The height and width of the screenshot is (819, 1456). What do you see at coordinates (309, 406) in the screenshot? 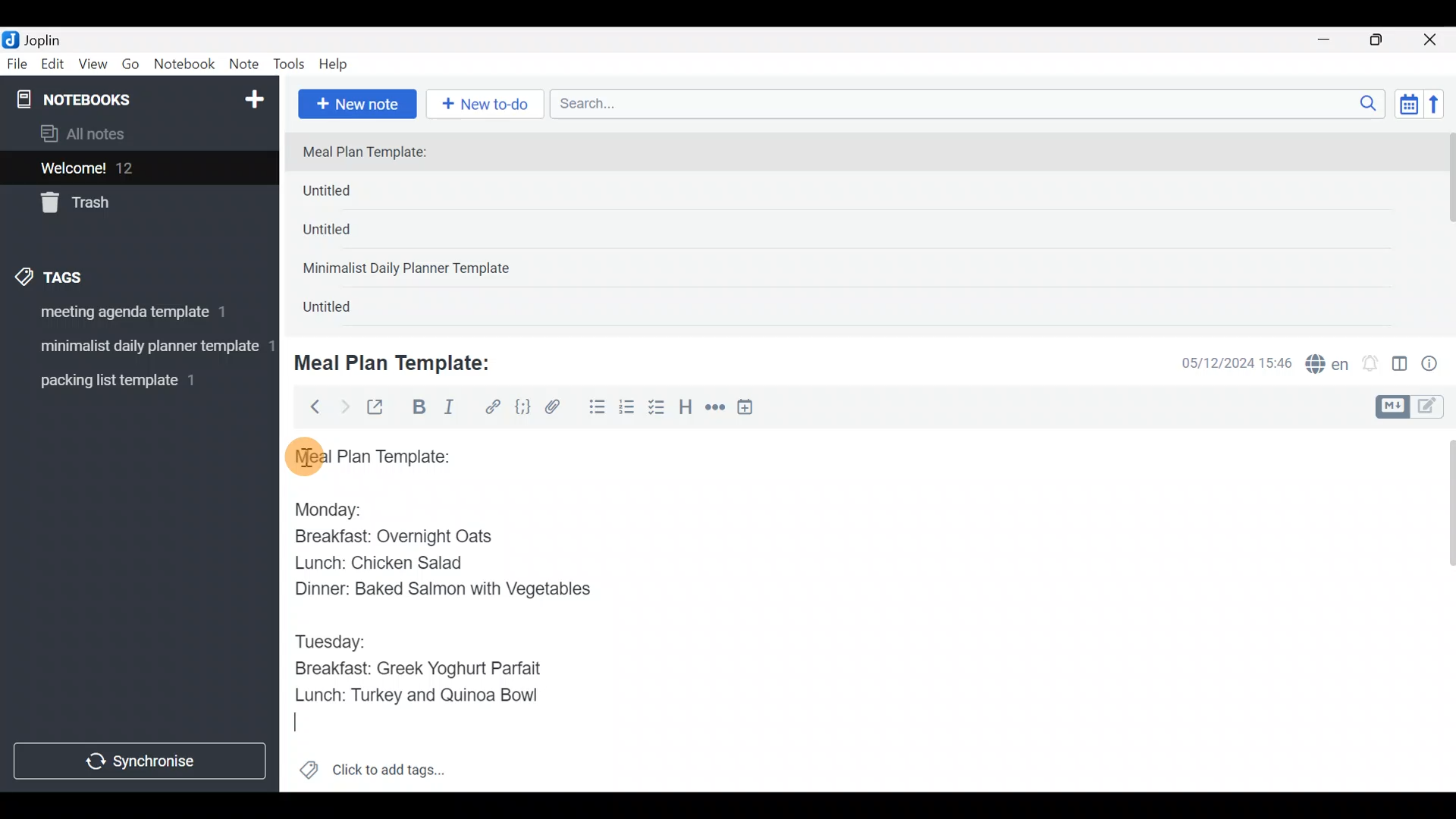
I see `Back` at bounding box center [309, 406].